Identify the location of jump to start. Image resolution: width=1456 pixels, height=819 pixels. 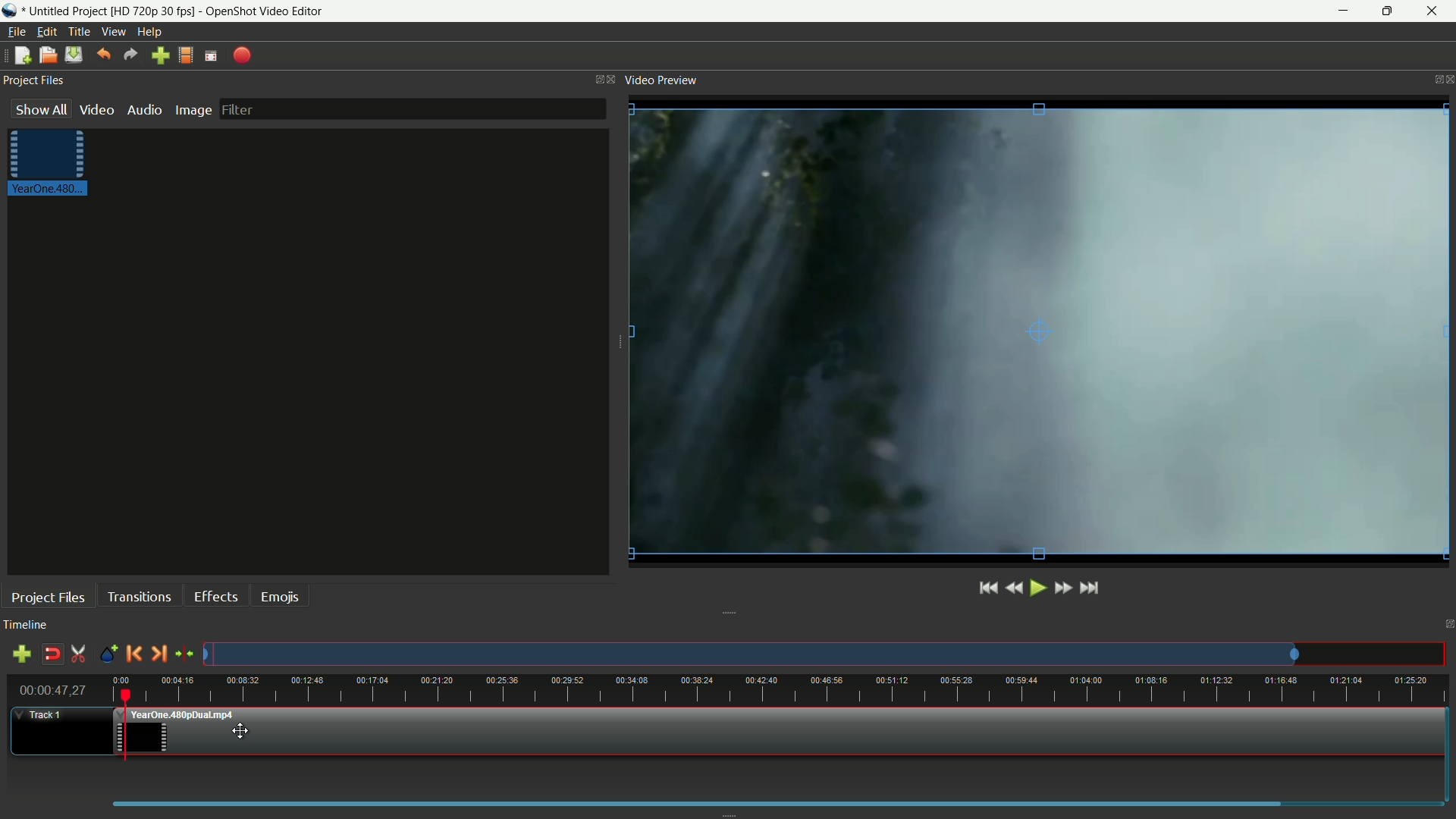
(987, 589).